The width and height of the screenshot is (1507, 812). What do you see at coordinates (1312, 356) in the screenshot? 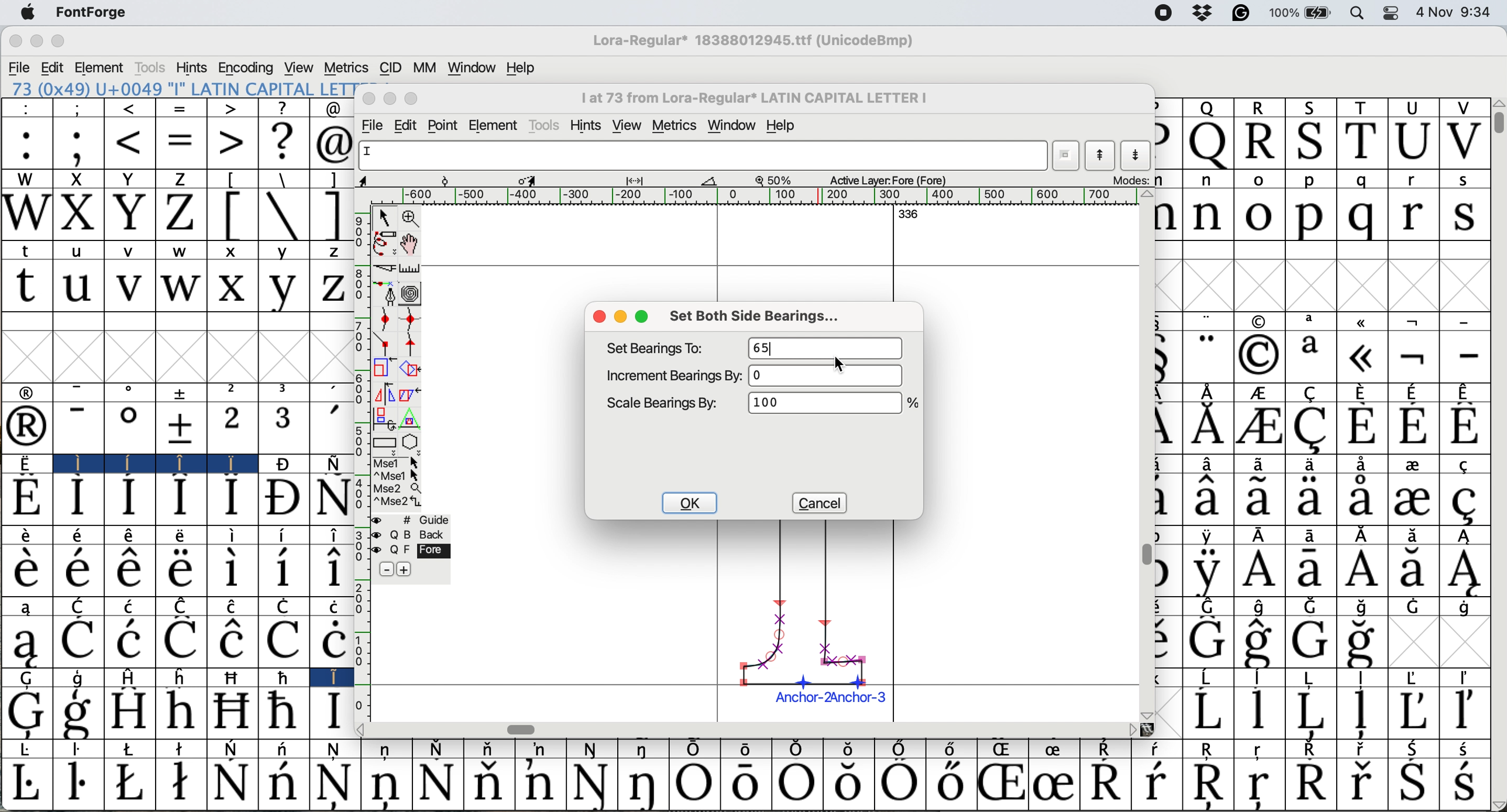
I see `a` at bounding box center [1312, 356].